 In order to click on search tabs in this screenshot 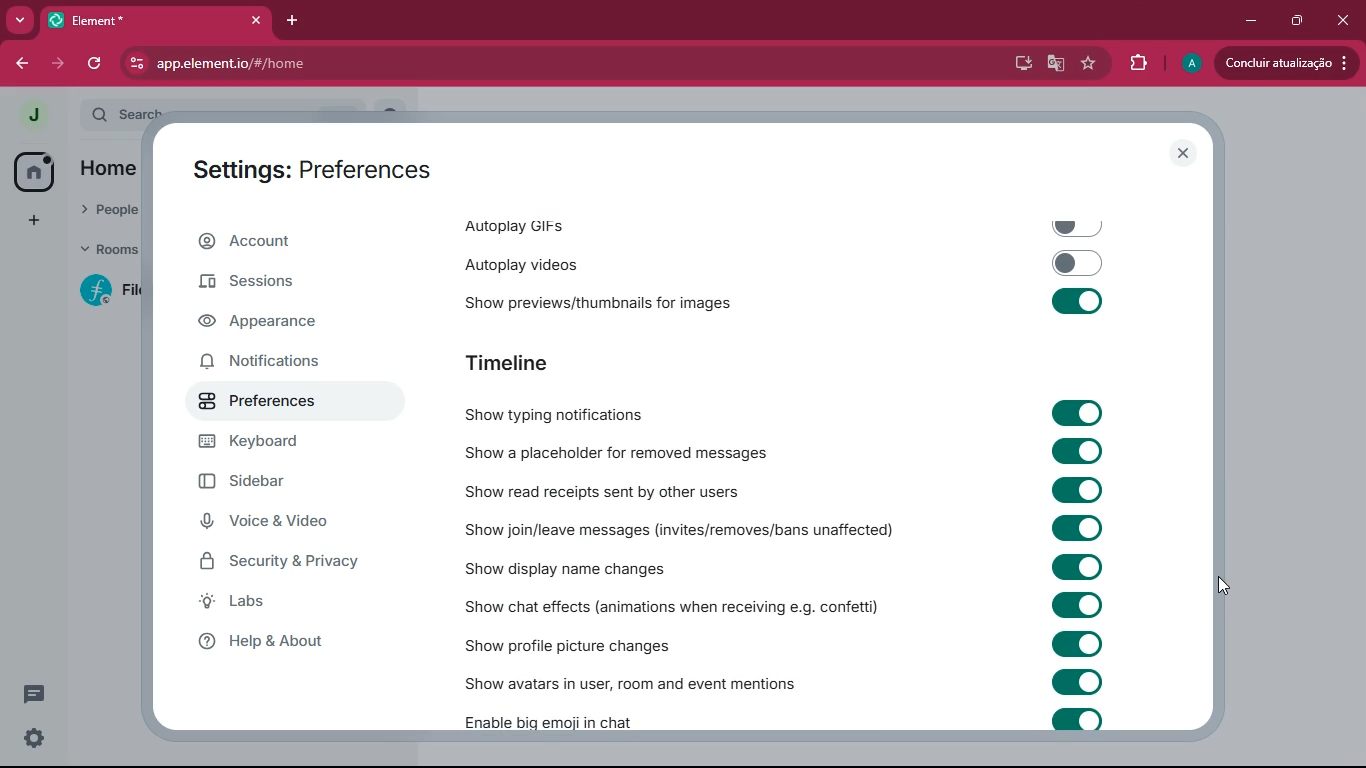, I will do `click(20, 21)`.